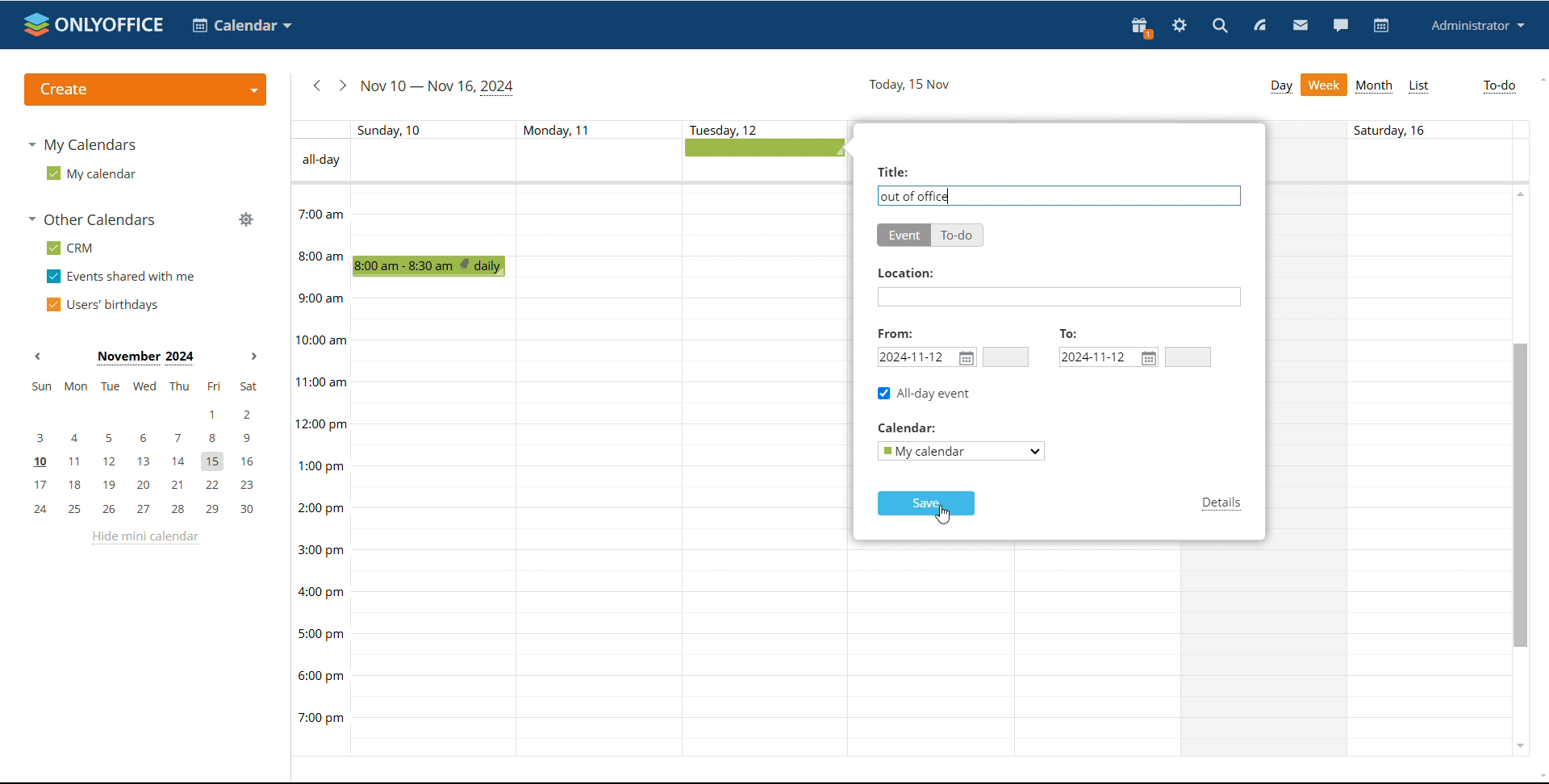 The height and width of the screenshot is (784, 1549). Describe the element at coordinates (908, 84) in the screenshot. I see `current date` at that location.